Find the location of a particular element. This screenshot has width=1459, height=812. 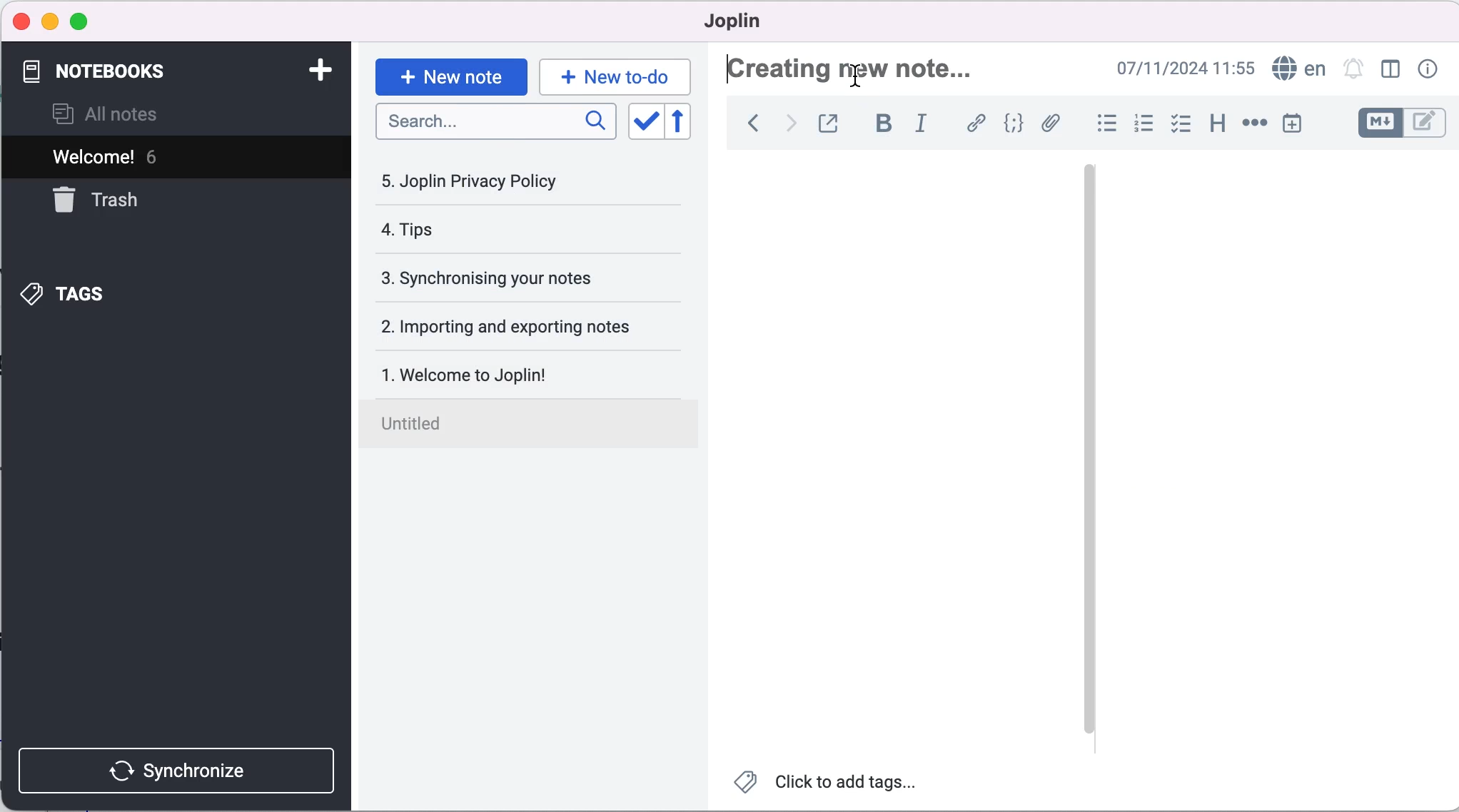

back is located at coordinates (746, 128).